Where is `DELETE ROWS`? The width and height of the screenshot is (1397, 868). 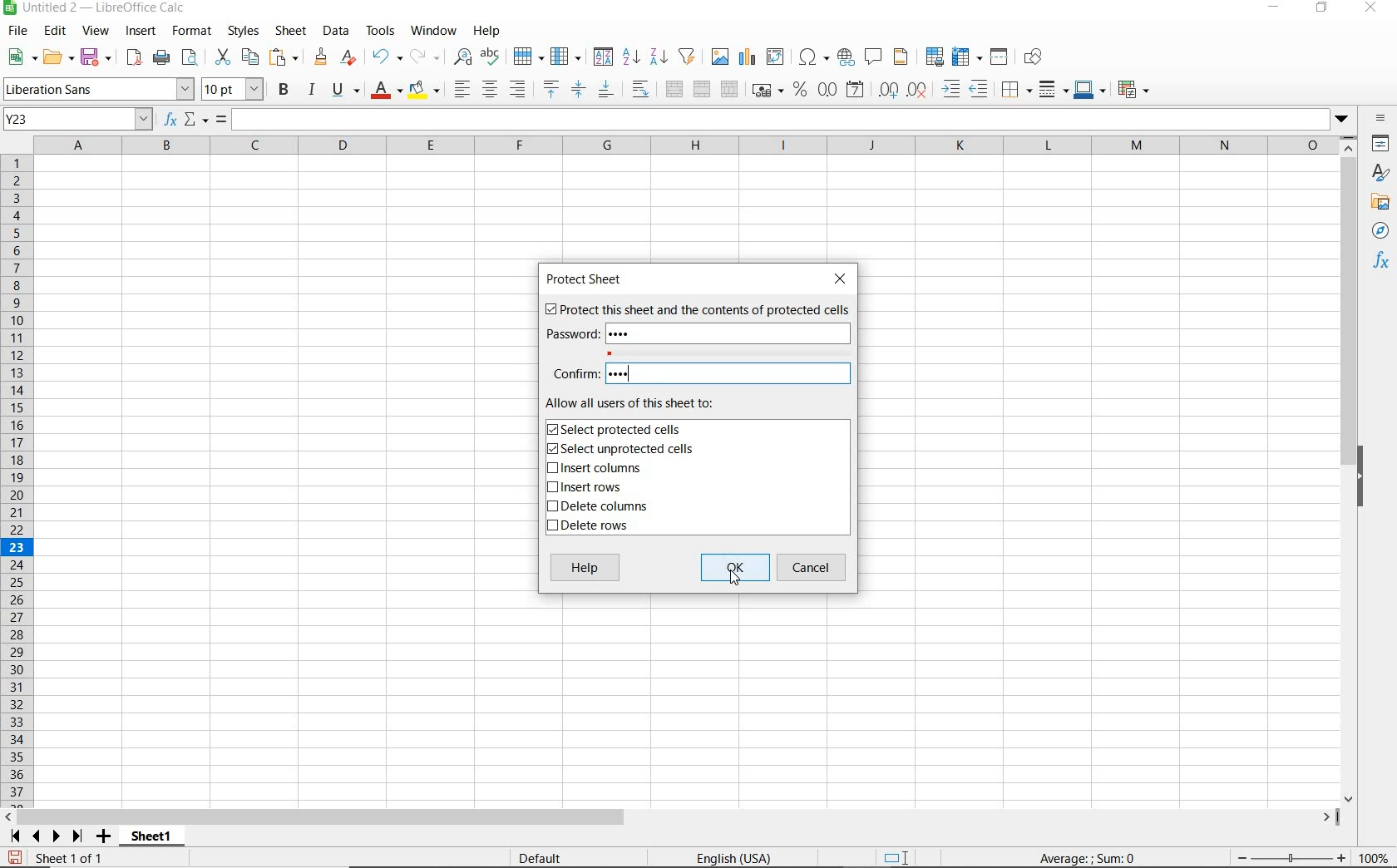
DELETE ROWS is located at coordinates (590, 528).